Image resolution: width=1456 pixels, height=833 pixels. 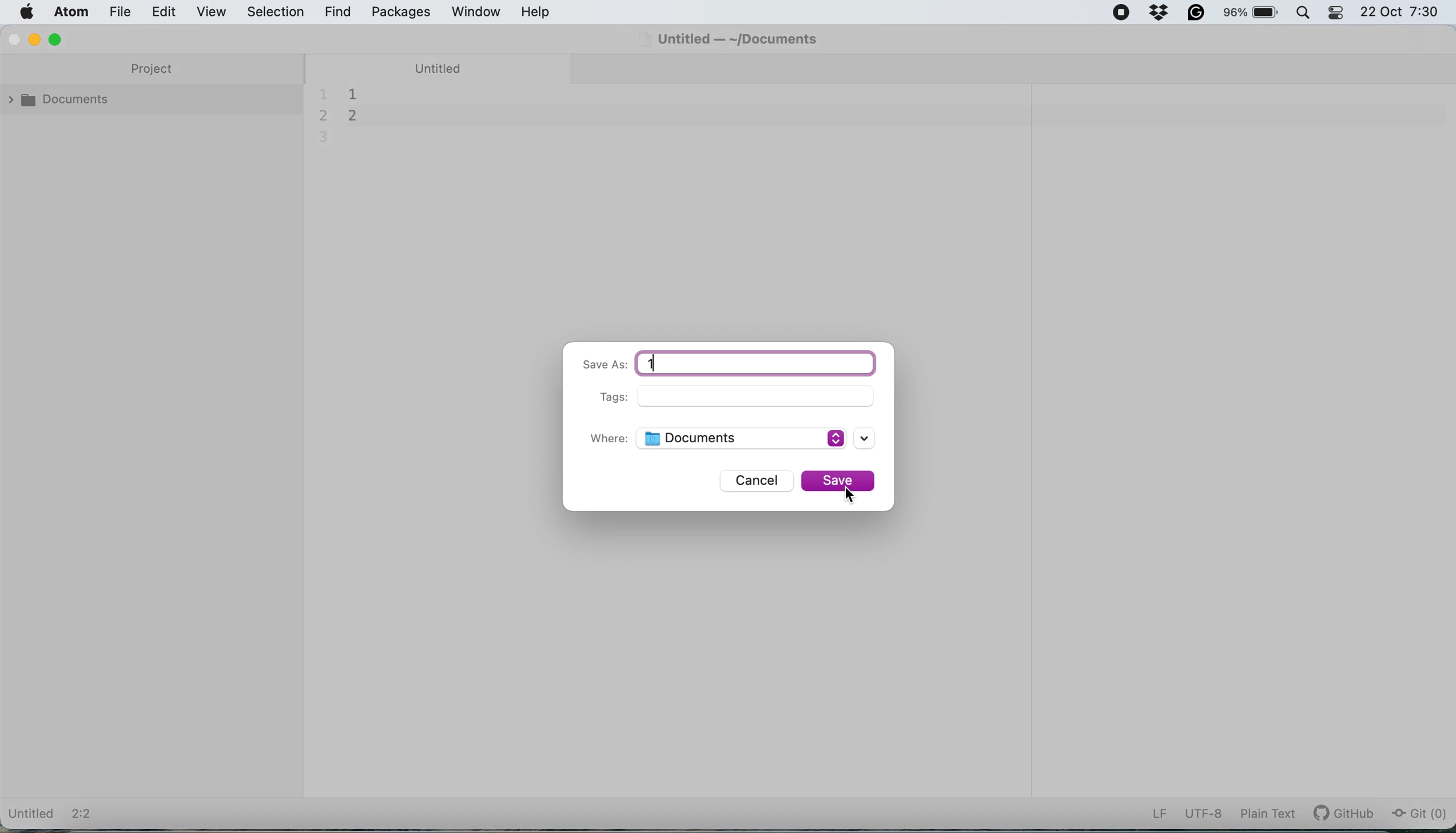 What do you see at coordinates (1418, 814) in the screenshot?
I see `git (0)` at bounding box center [1418, 814].